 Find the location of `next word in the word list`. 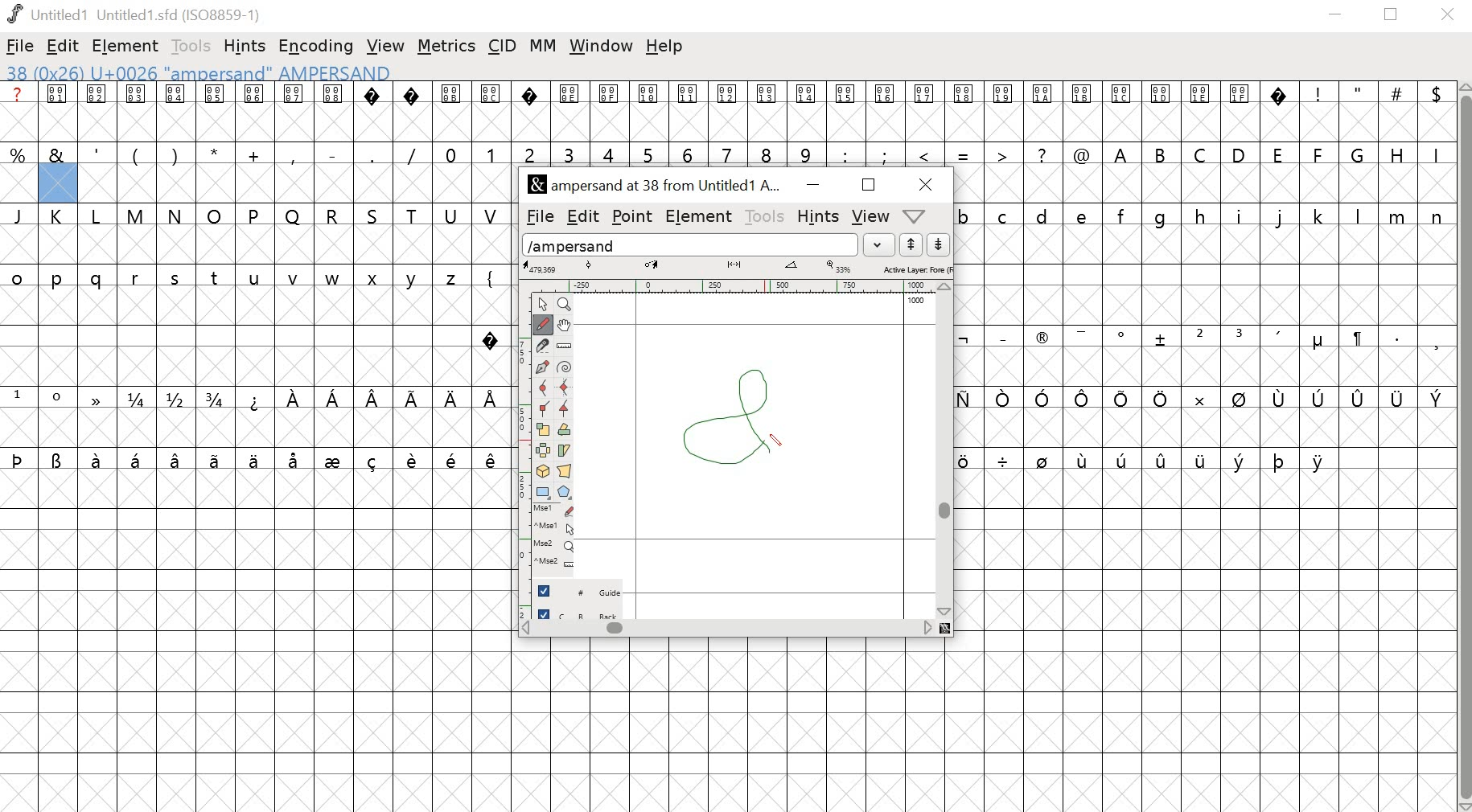

next word in the word list is located at coordinates (939, 245).